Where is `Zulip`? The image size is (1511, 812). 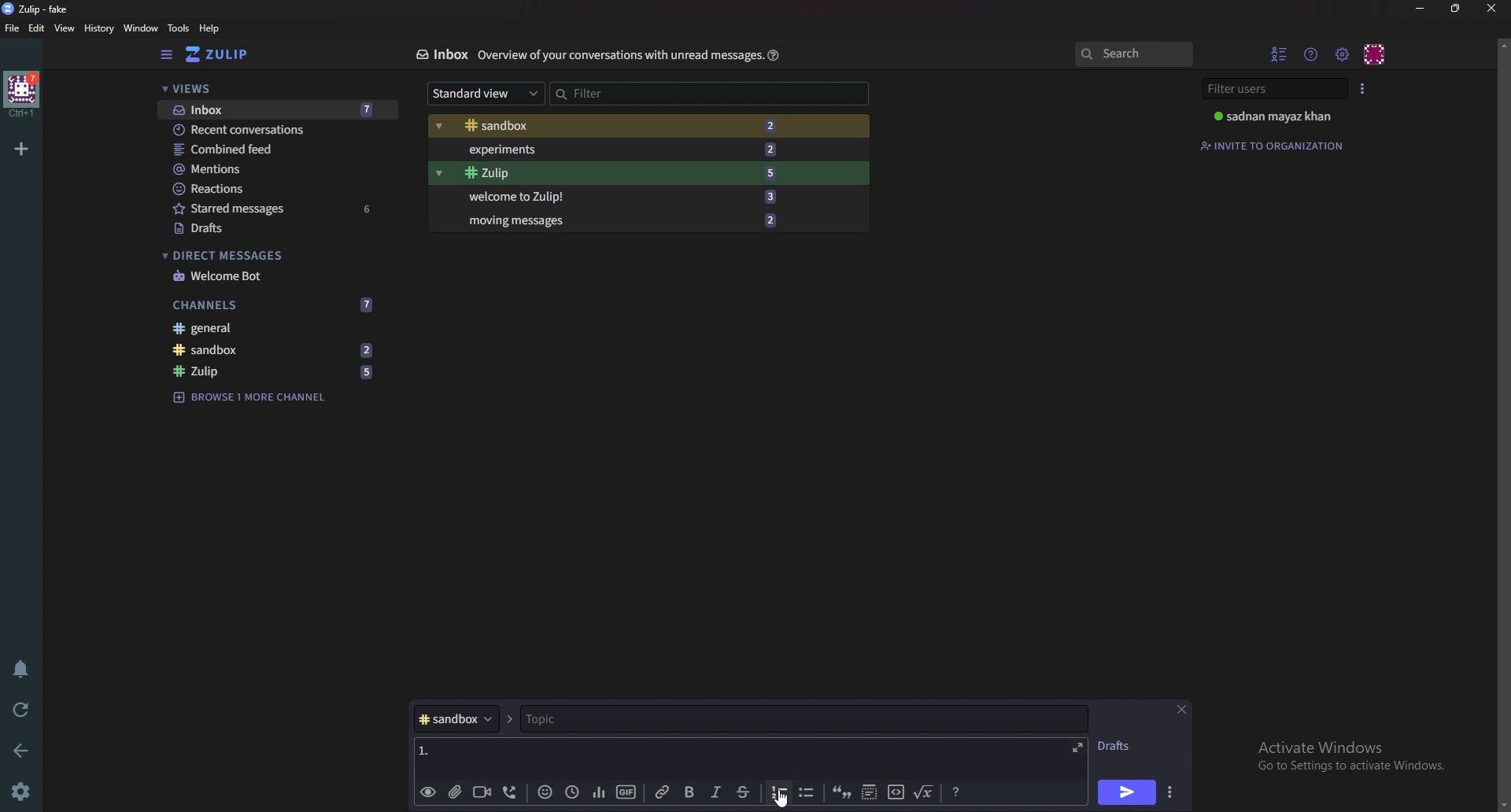 Zulip is located at coordinates (616, 173).